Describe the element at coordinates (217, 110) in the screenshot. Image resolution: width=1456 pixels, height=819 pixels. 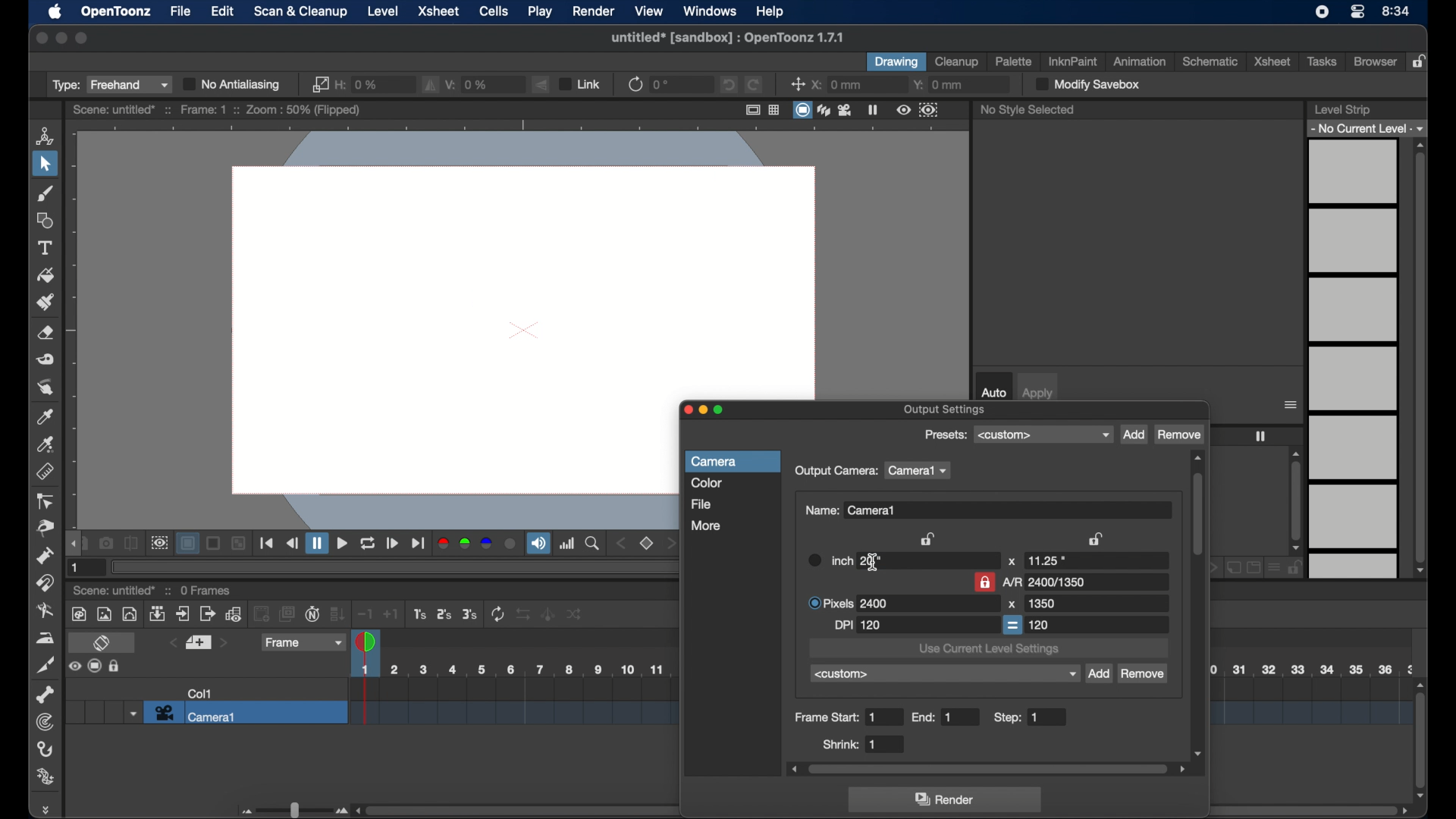
I see `scene` at that location.